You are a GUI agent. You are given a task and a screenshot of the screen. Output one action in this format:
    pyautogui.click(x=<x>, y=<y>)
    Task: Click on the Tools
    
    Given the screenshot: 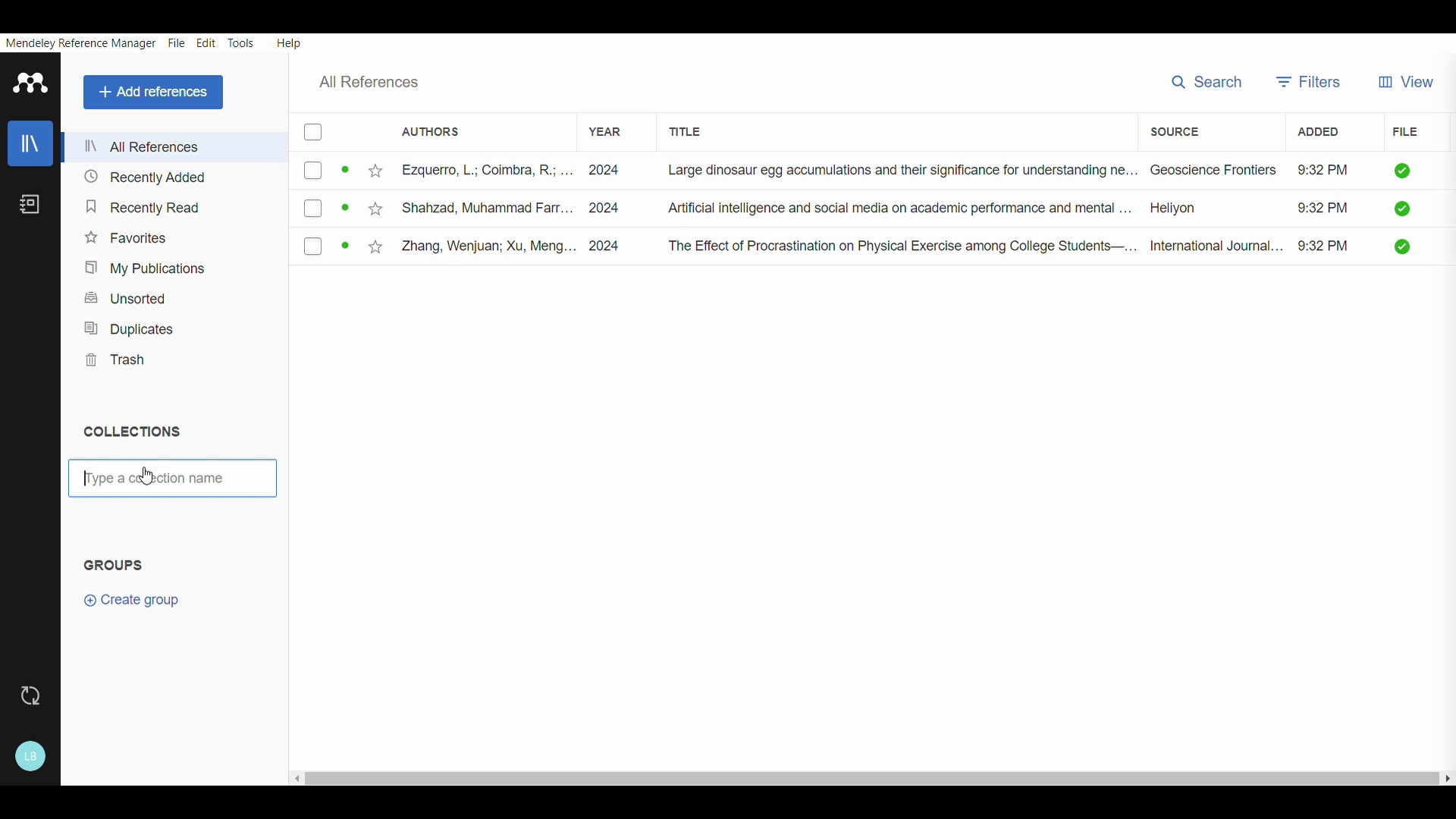 What is the action you would take?
    pyautogui.click(x=241, y=42)
    